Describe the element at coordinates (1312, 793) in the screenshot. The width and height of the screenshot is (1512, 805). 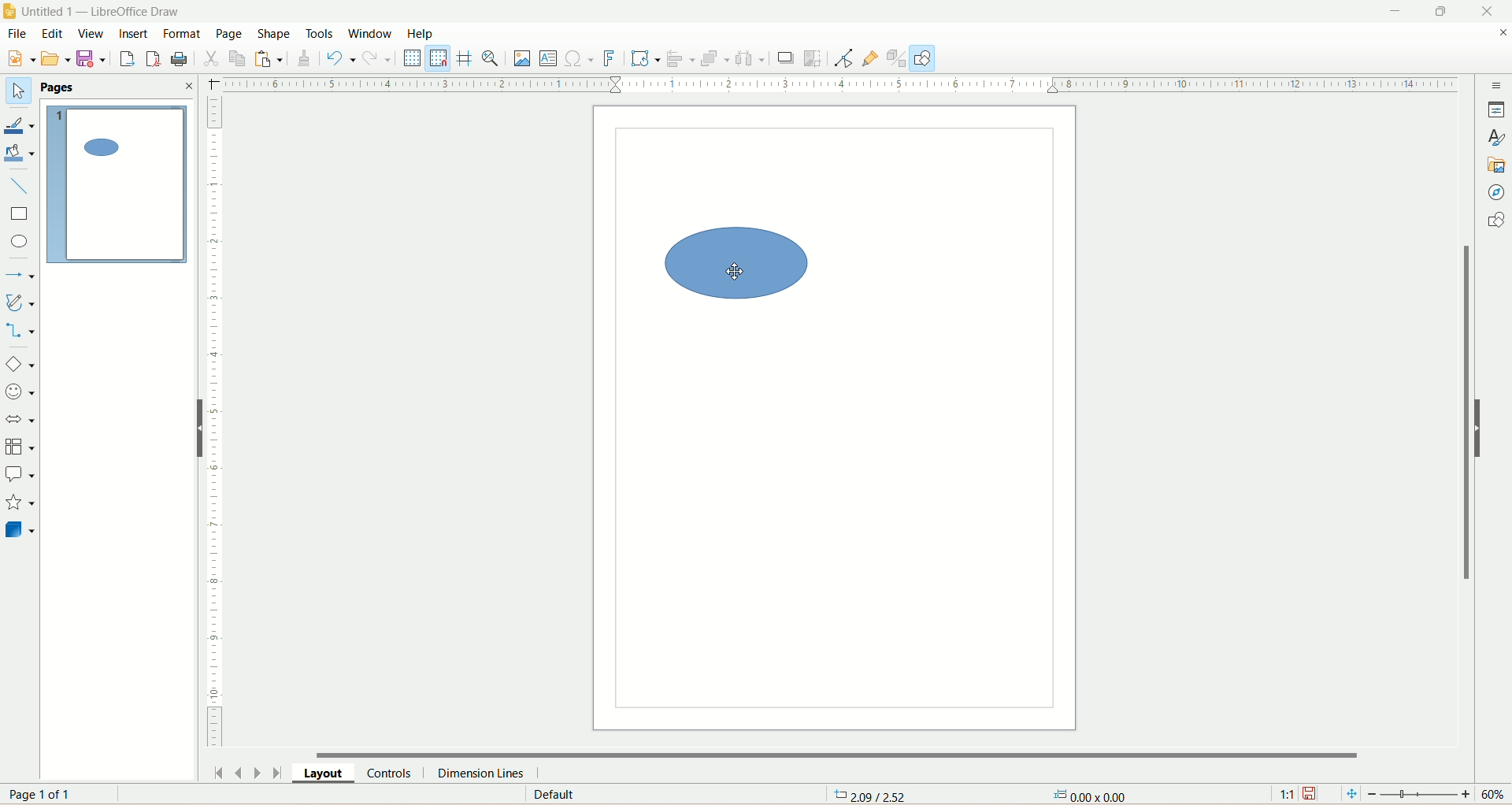
I see `save` at that location.